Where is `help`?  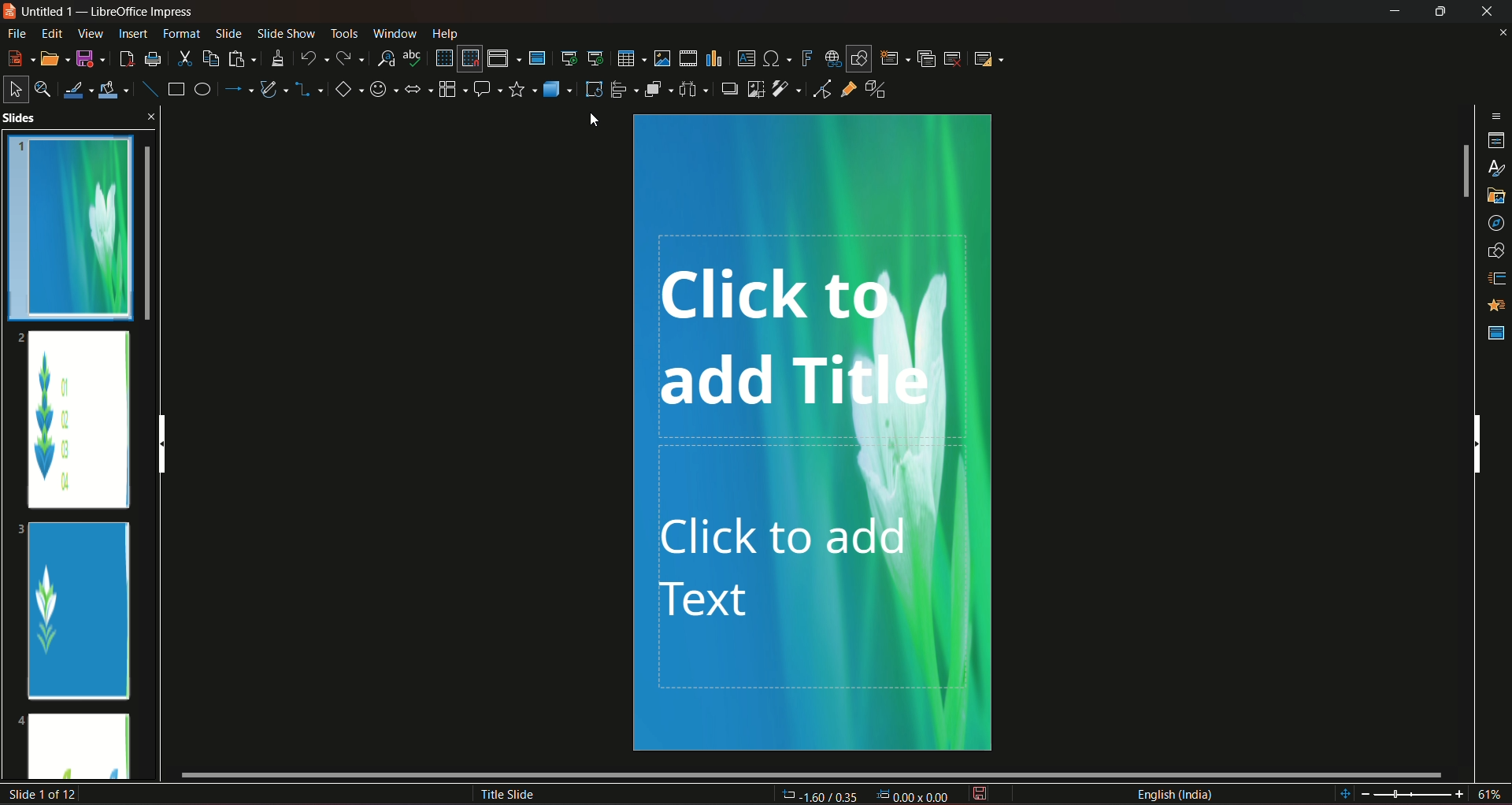
help is located at coordinates (445, 32).